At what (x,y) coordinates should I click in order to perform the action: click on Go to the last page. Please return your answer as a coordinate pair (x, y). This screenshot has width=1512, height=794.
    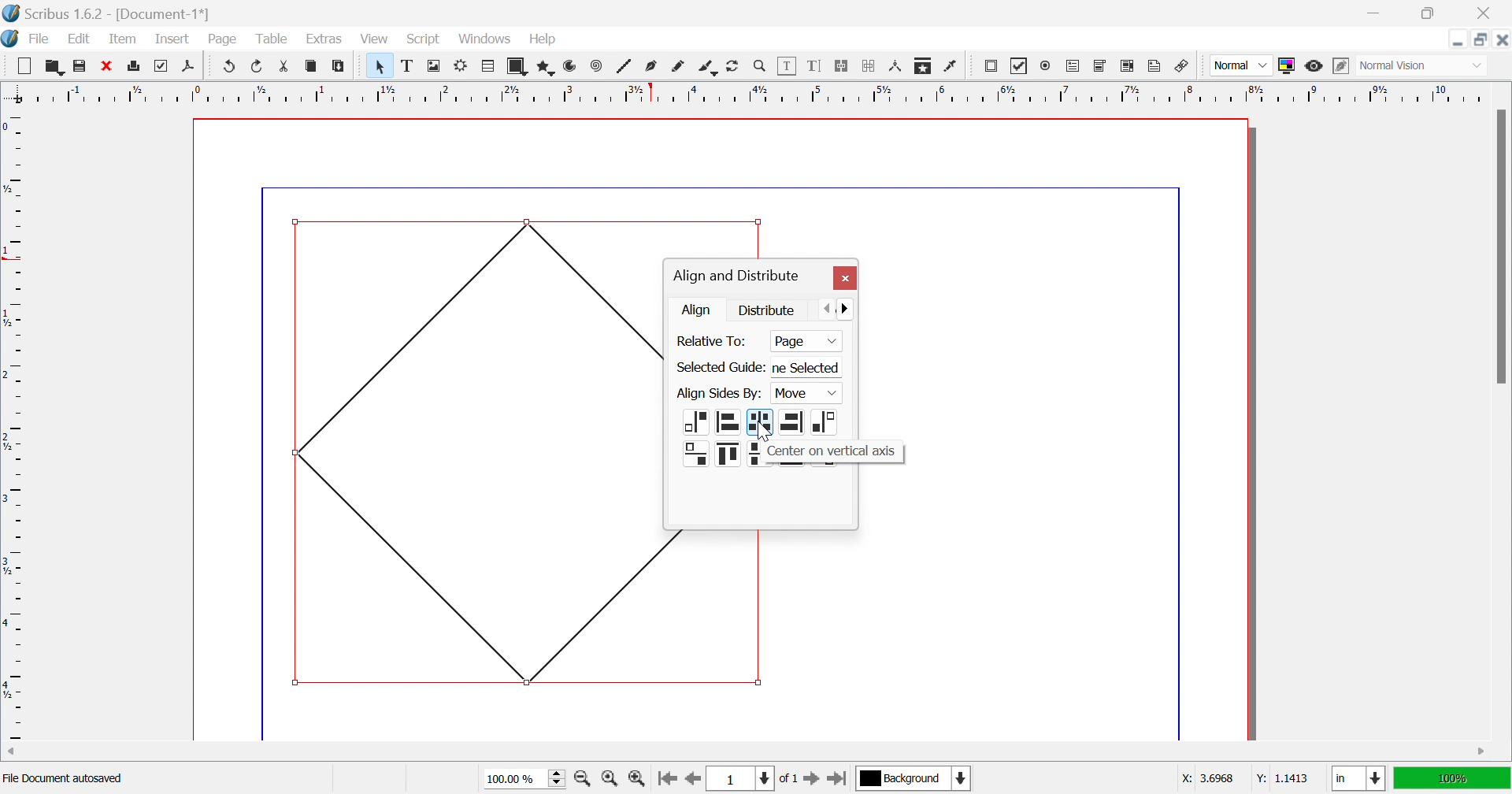
    Looking at the image, I should click on (836, 781).